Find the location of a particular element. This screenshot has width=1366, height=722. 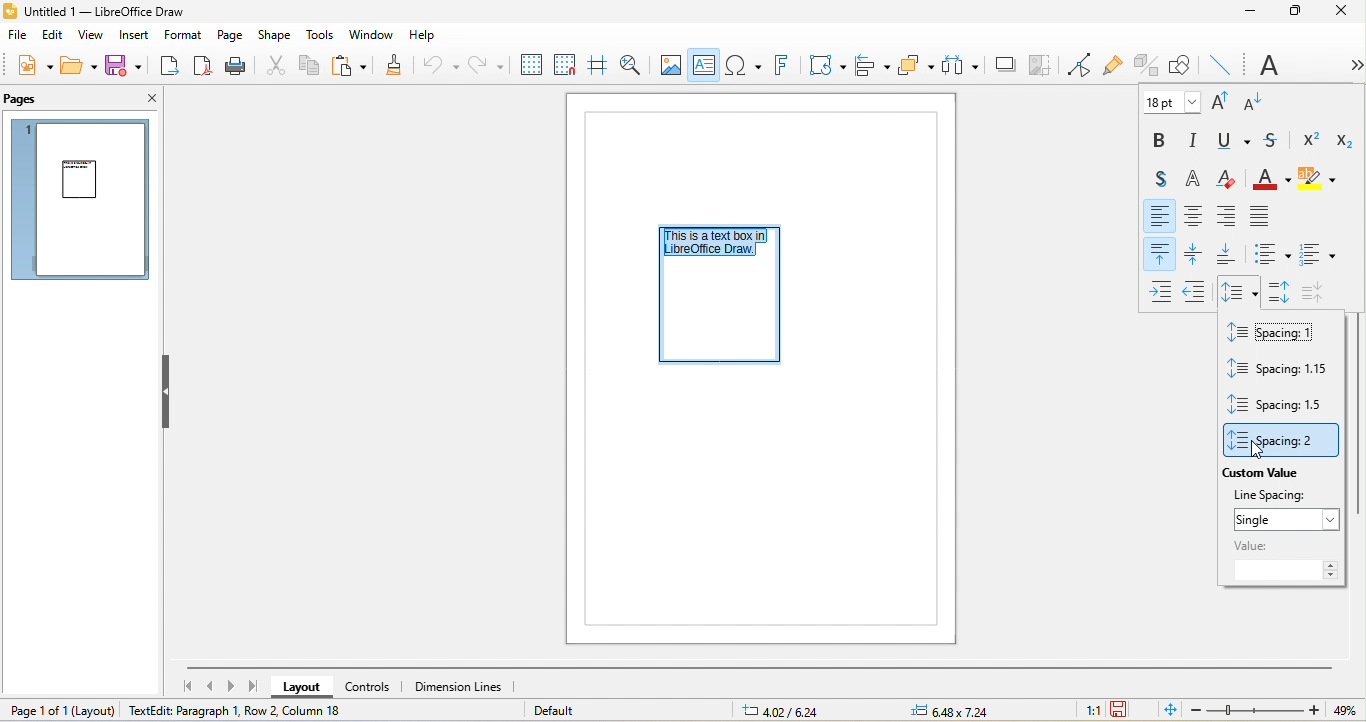

print is located at coordinates (237, 65).